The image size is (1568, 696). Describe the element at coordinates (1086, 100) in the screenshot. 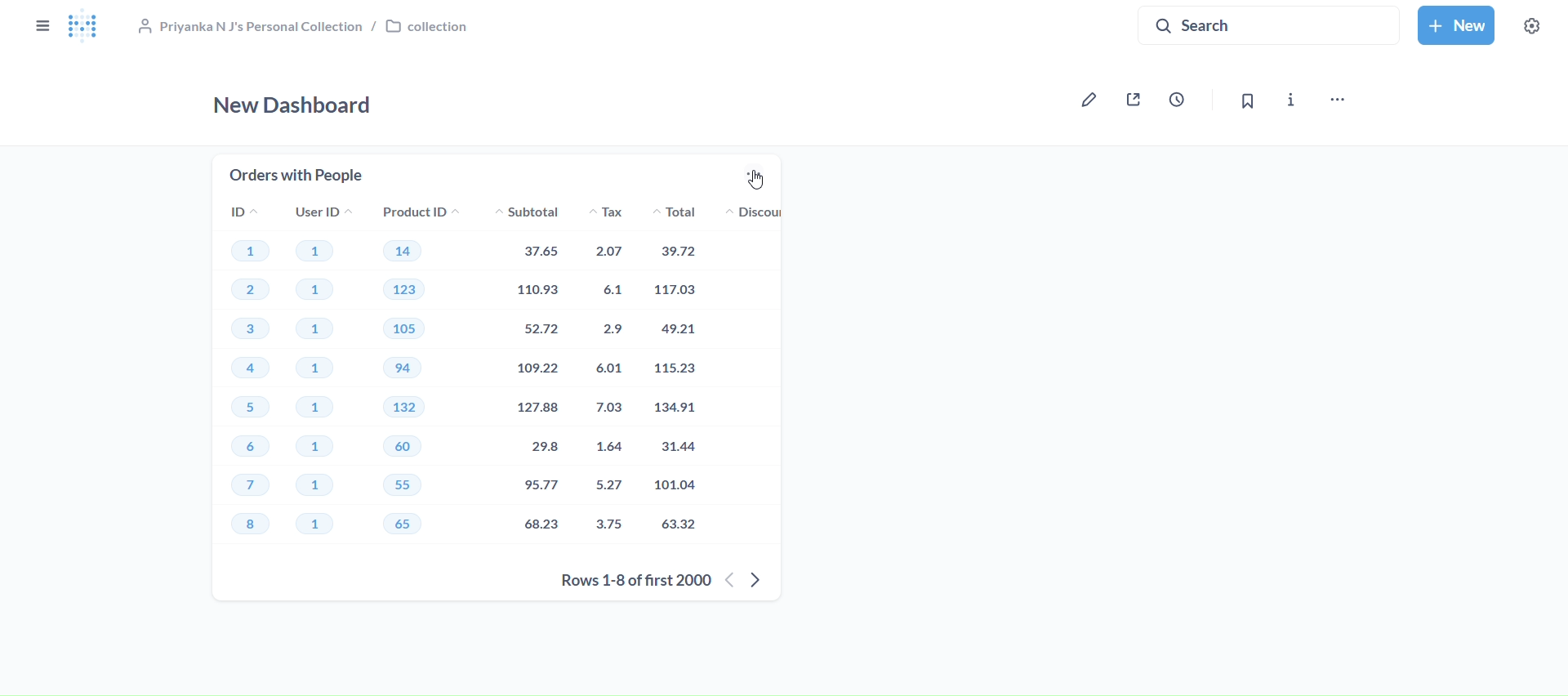

I see `edit` at that location.